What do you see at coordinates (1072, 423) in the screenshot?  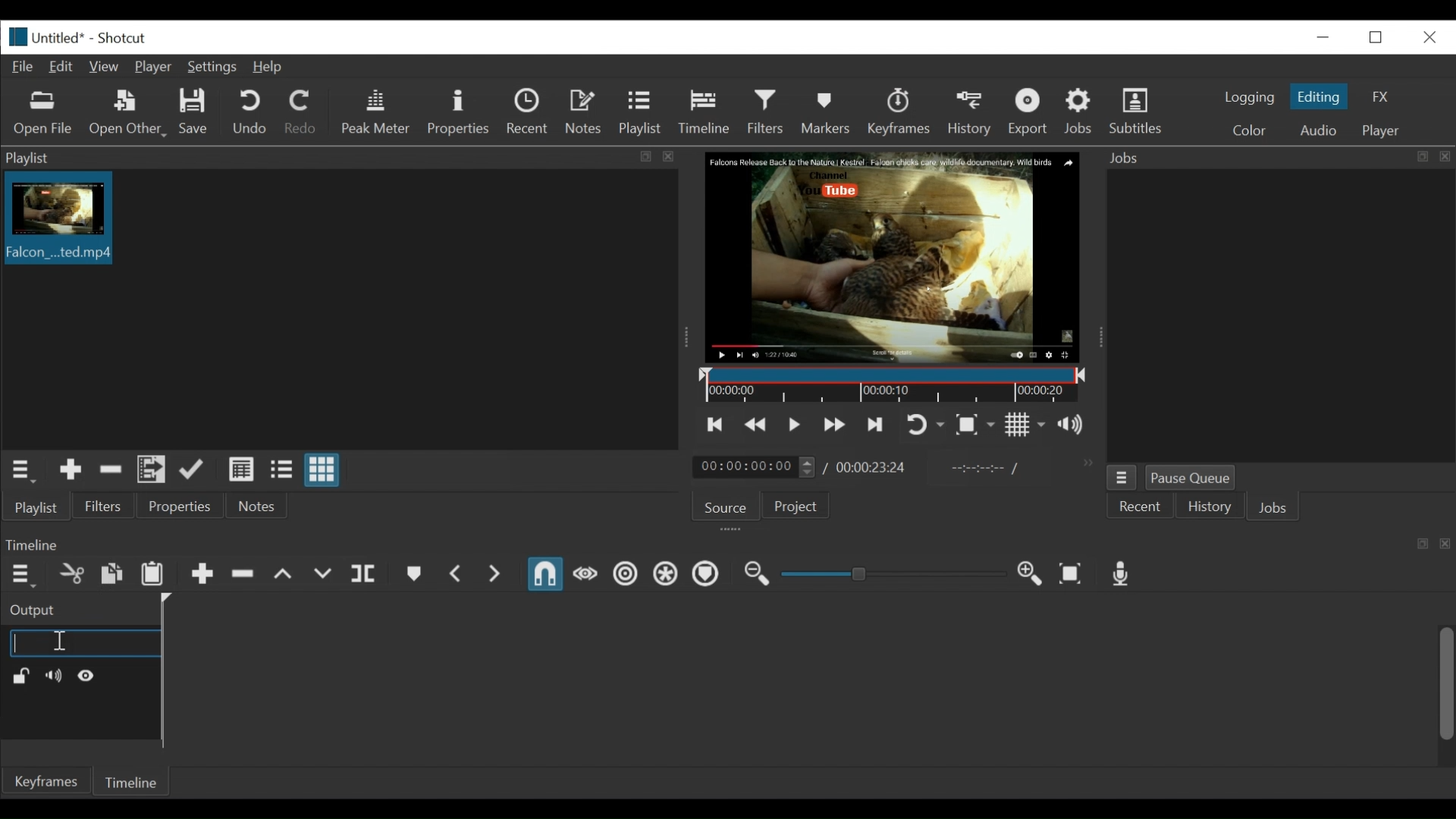 I see `Show the volume control` at bounding box center [1072, 423].